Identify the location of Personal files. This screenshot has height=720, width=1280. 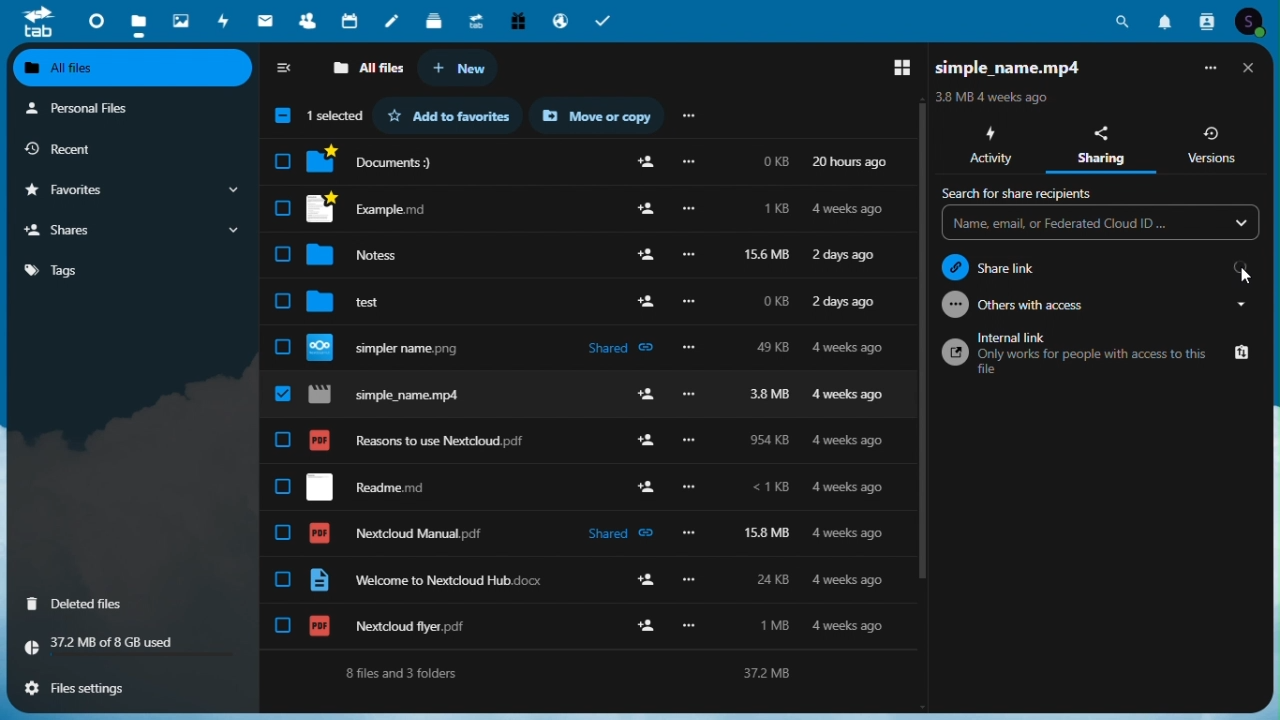
(127, 108).